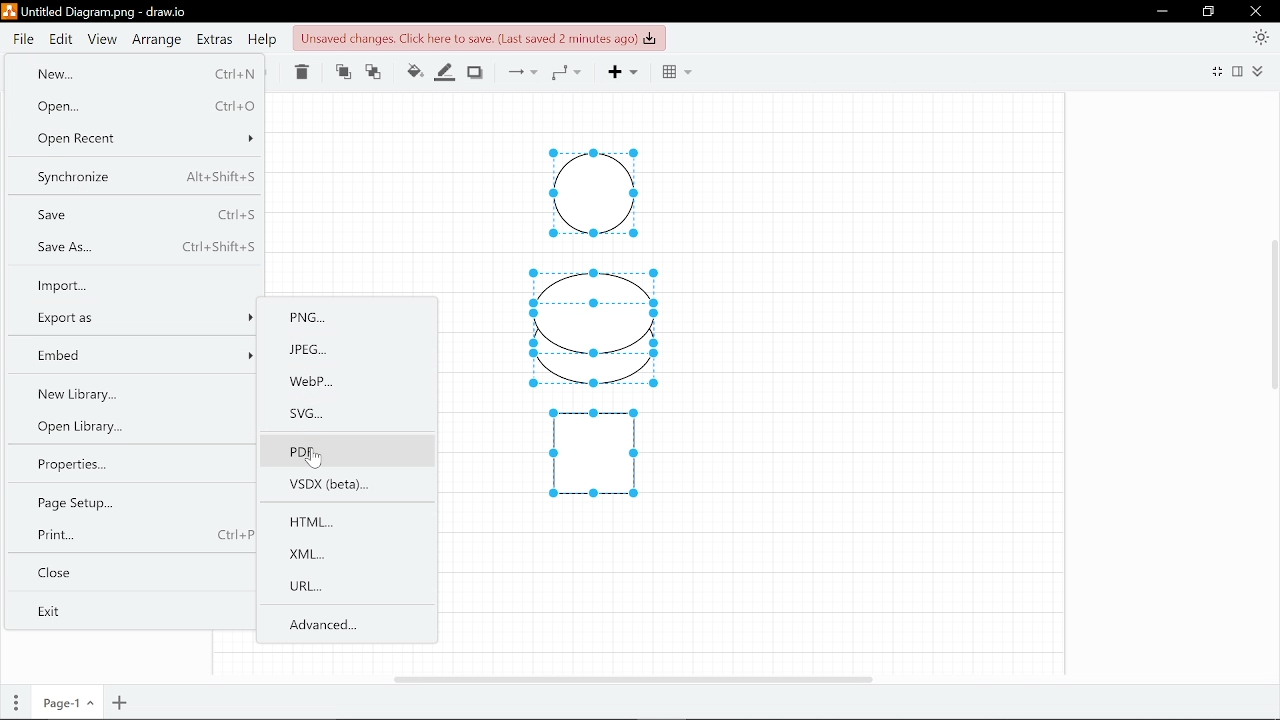 The image size is (1280, 720). What do you see at coordinates (376, 72) in the screenshot?
I see `Move backwards` at bounding box center [376, 72].